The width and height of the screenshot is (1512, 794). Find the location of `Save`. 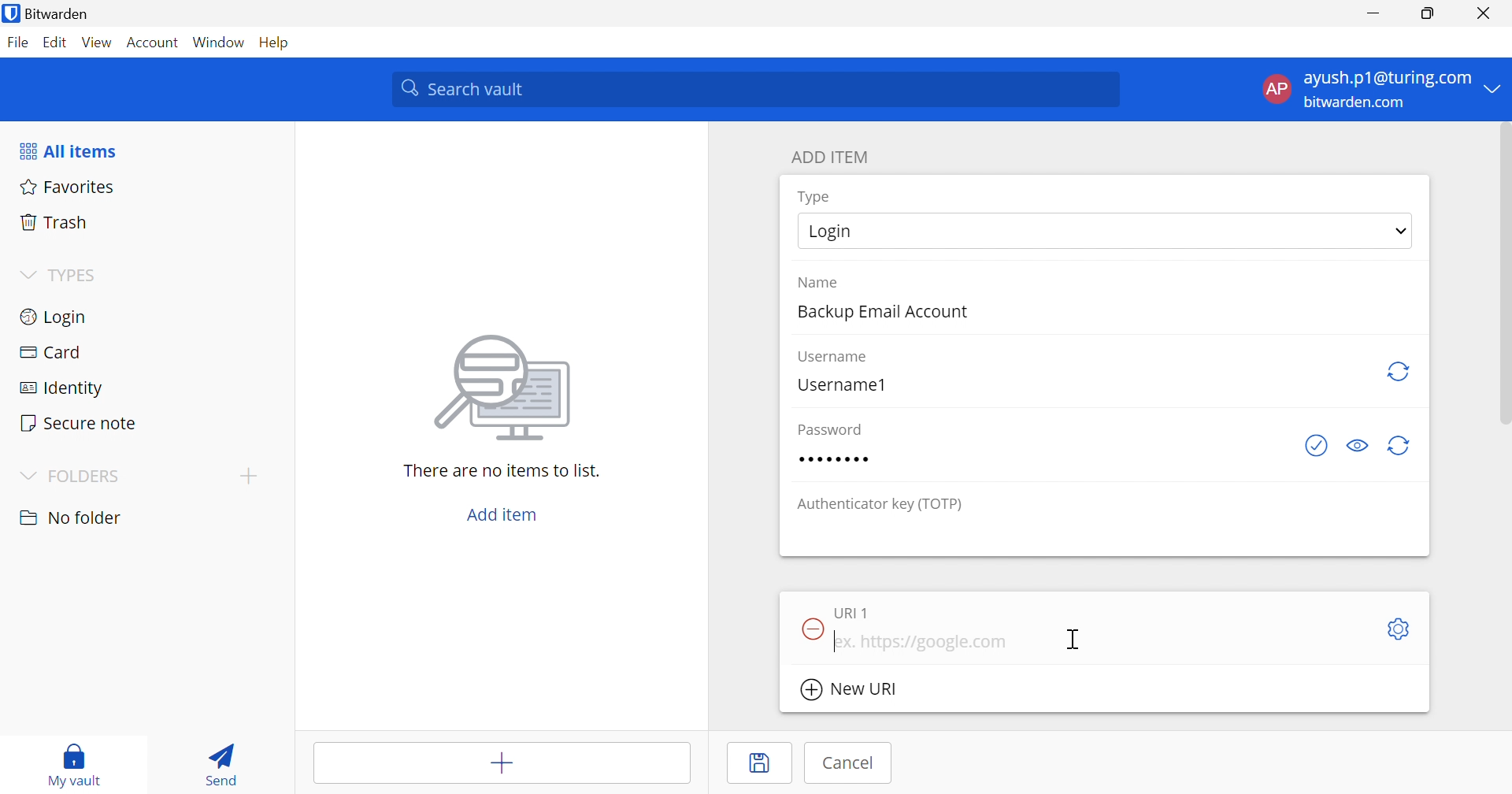

Save is located at coordinates (759, 764).